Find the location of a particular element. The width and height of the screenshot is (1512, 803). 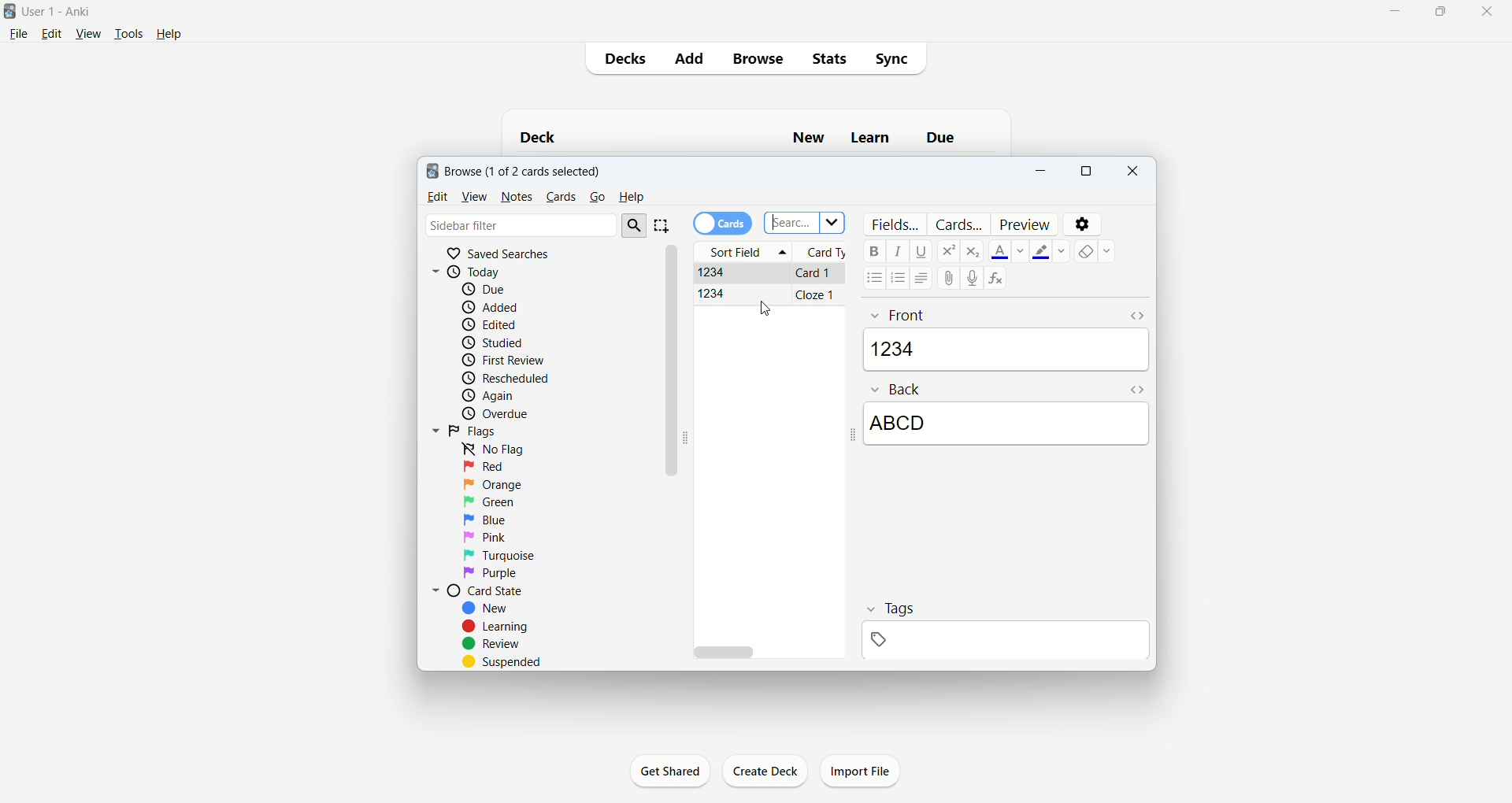

tags is located at coordinates (887, 608).